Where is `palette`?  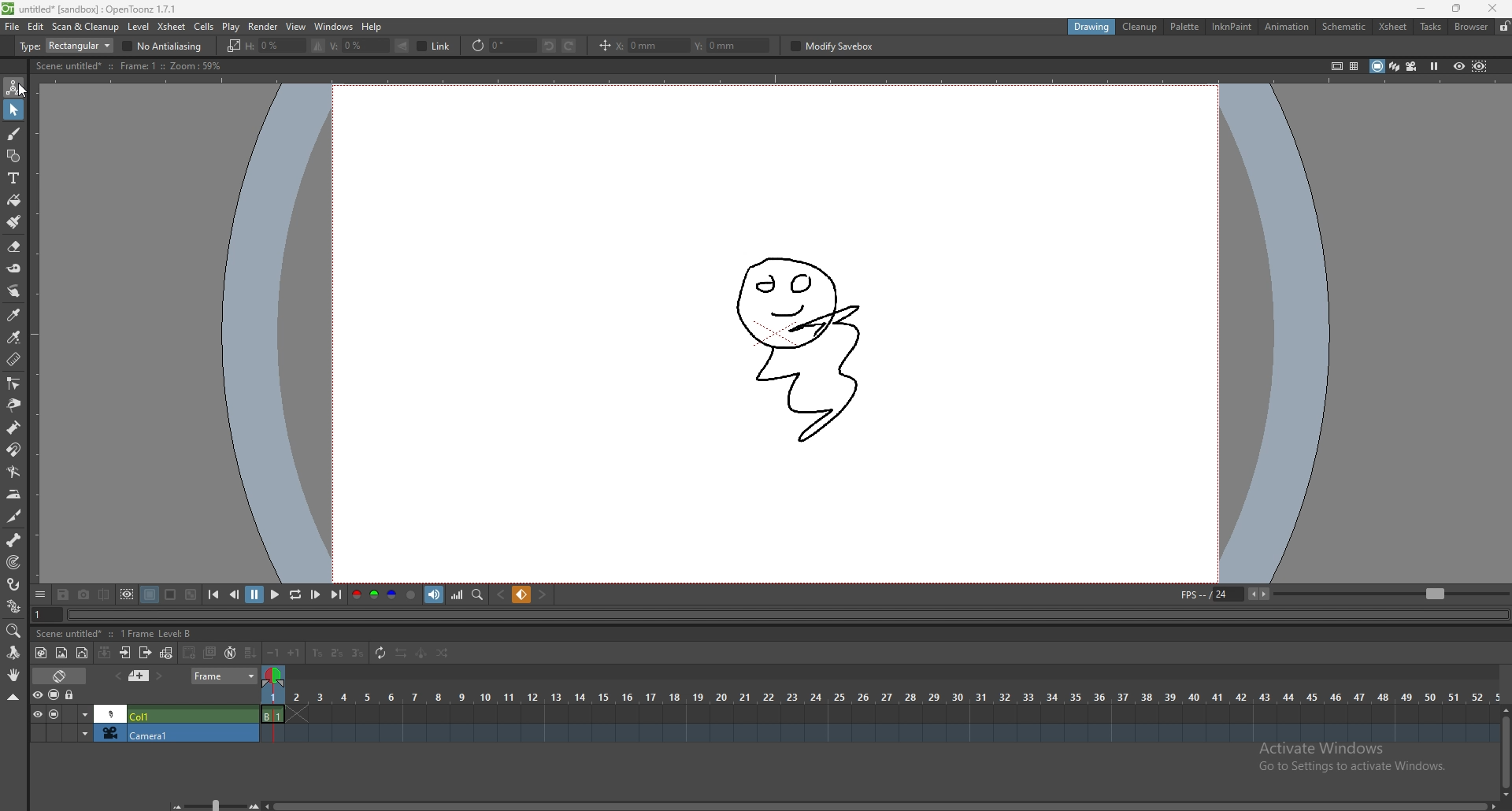 palette is located at coordinates (1185, 26).